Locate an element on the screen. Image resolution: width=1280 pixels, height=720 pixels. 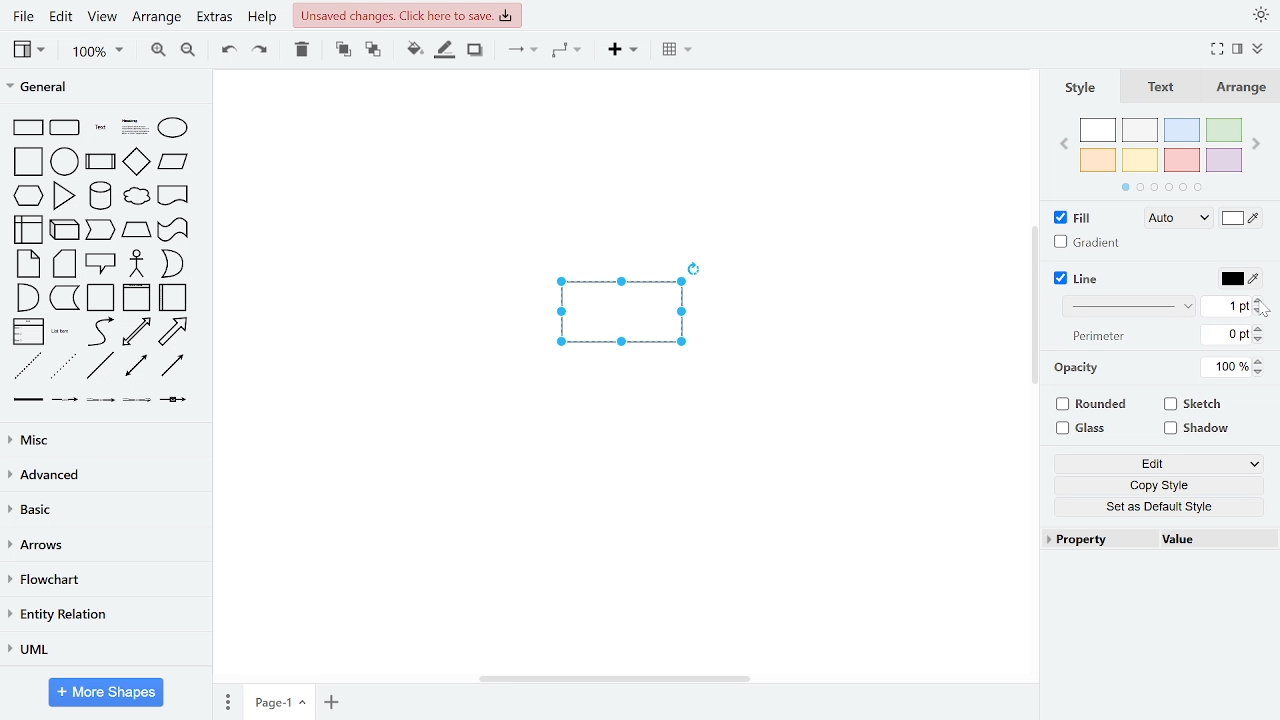
flowchart is located at coordinates (105, 580).